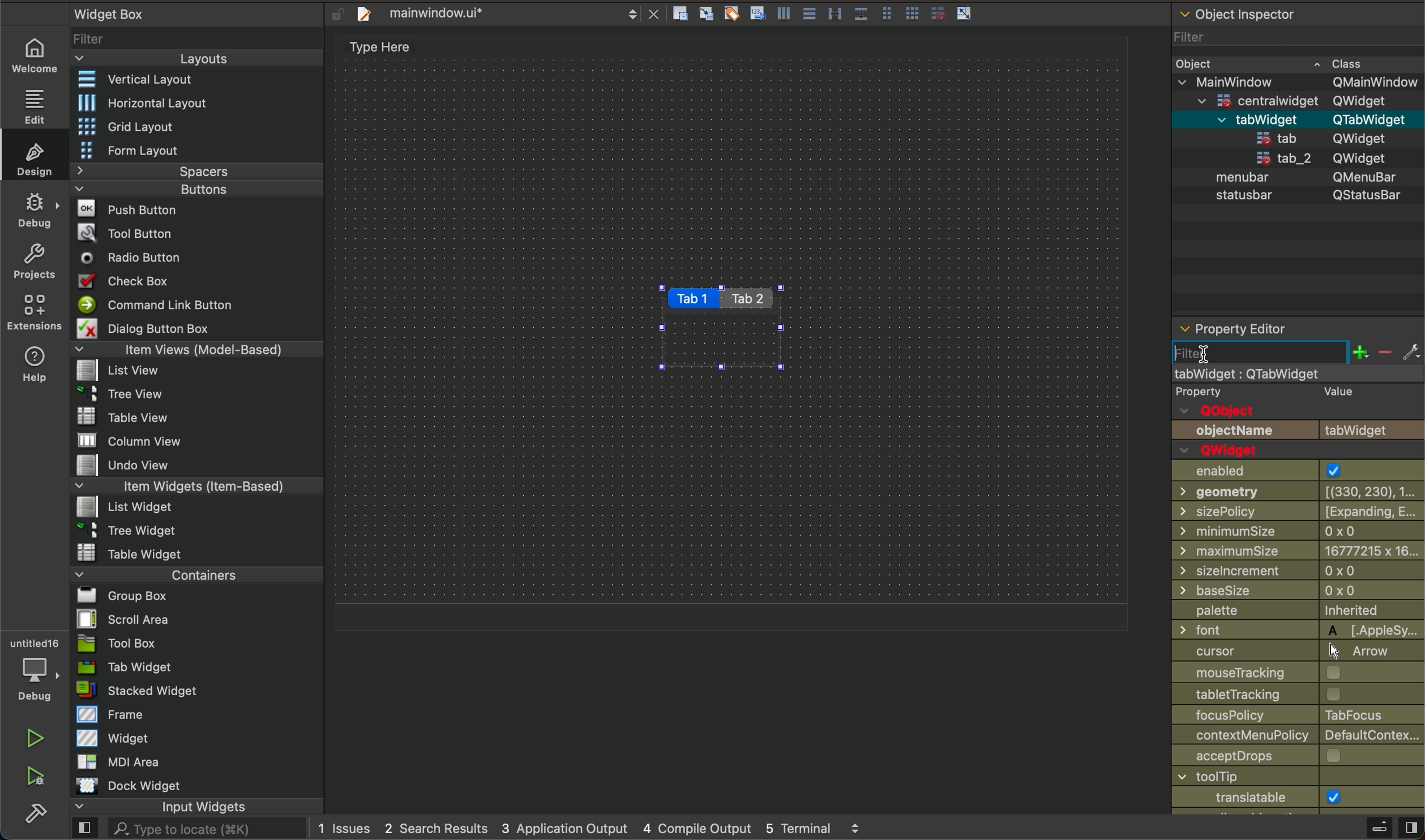 The image size is (1425, 840). Describe the element at coordinates (594, 828) in the screenshot. I see `logs` at that location.